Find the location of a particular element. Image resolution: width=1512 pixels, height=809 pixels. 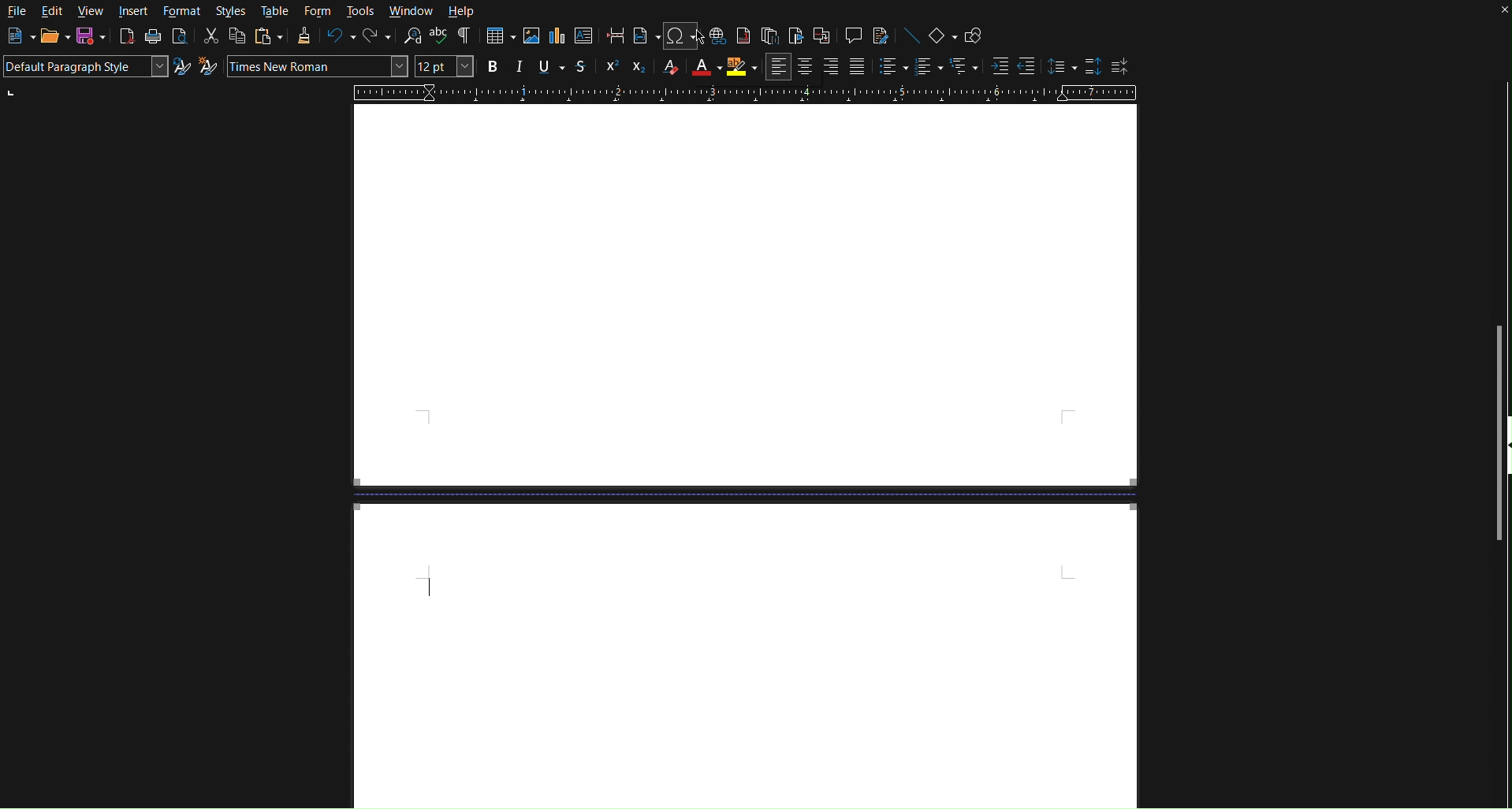

Toggle formatting Marks is located at coordinates (467, 37).